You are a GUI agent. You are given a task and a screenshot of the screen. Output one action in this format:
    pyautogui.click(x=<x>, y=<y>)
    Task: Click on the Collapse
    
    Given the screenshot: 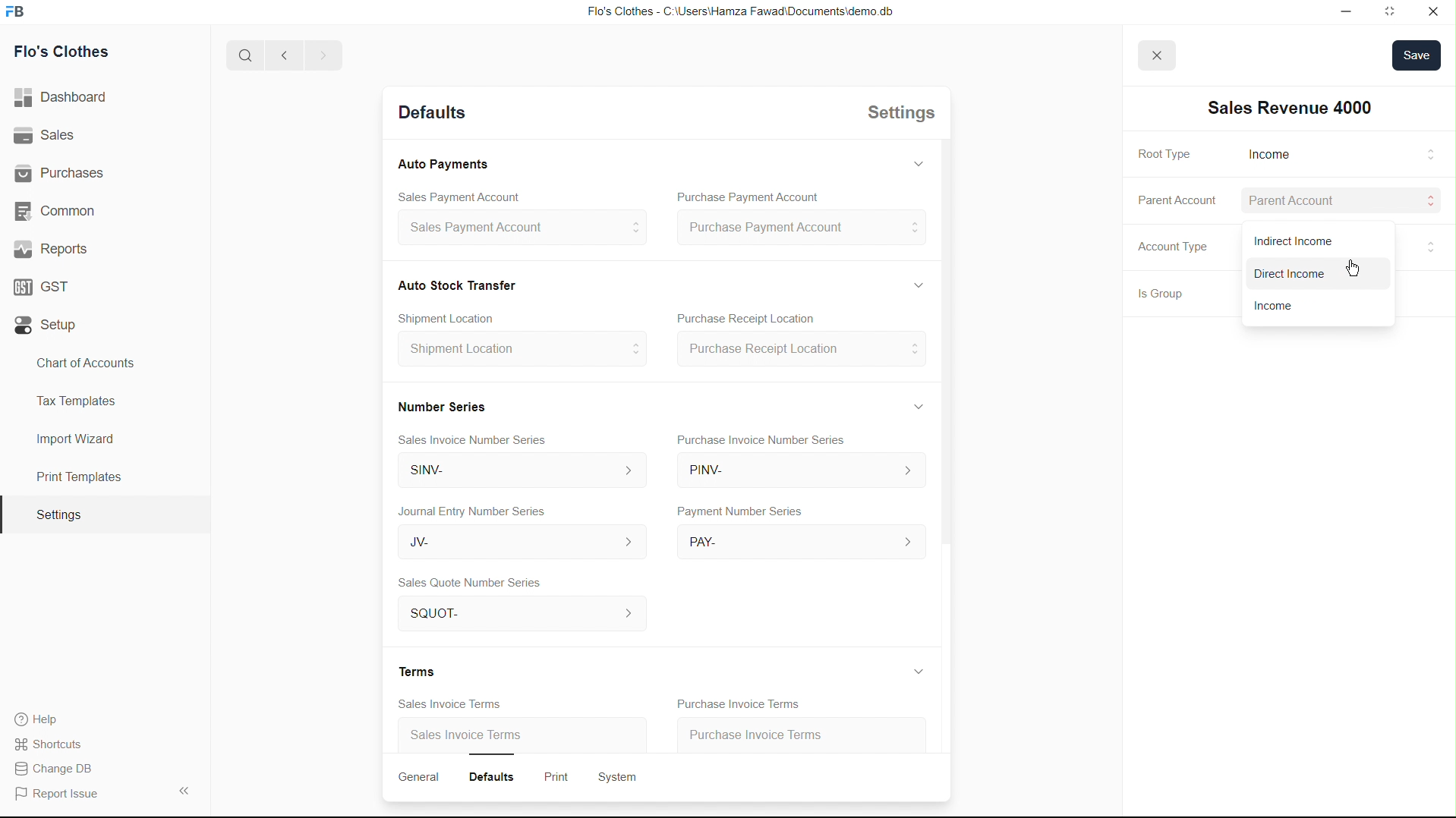 What is the action you would take?
    pyautogui.click(x=183, y=790)
    